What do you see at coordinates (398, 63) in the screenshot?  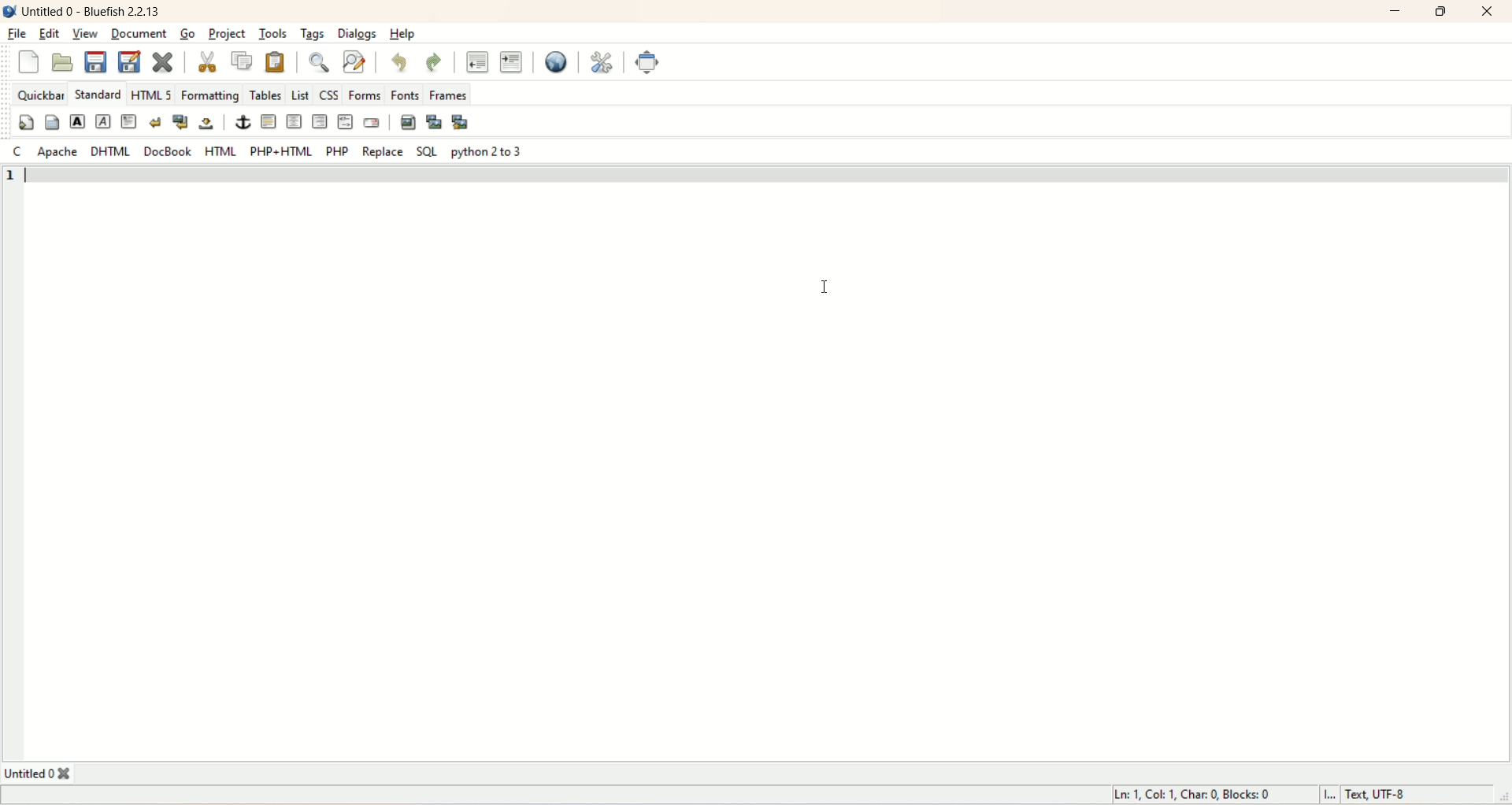 I see `undo` at bounding box center [398, 63].